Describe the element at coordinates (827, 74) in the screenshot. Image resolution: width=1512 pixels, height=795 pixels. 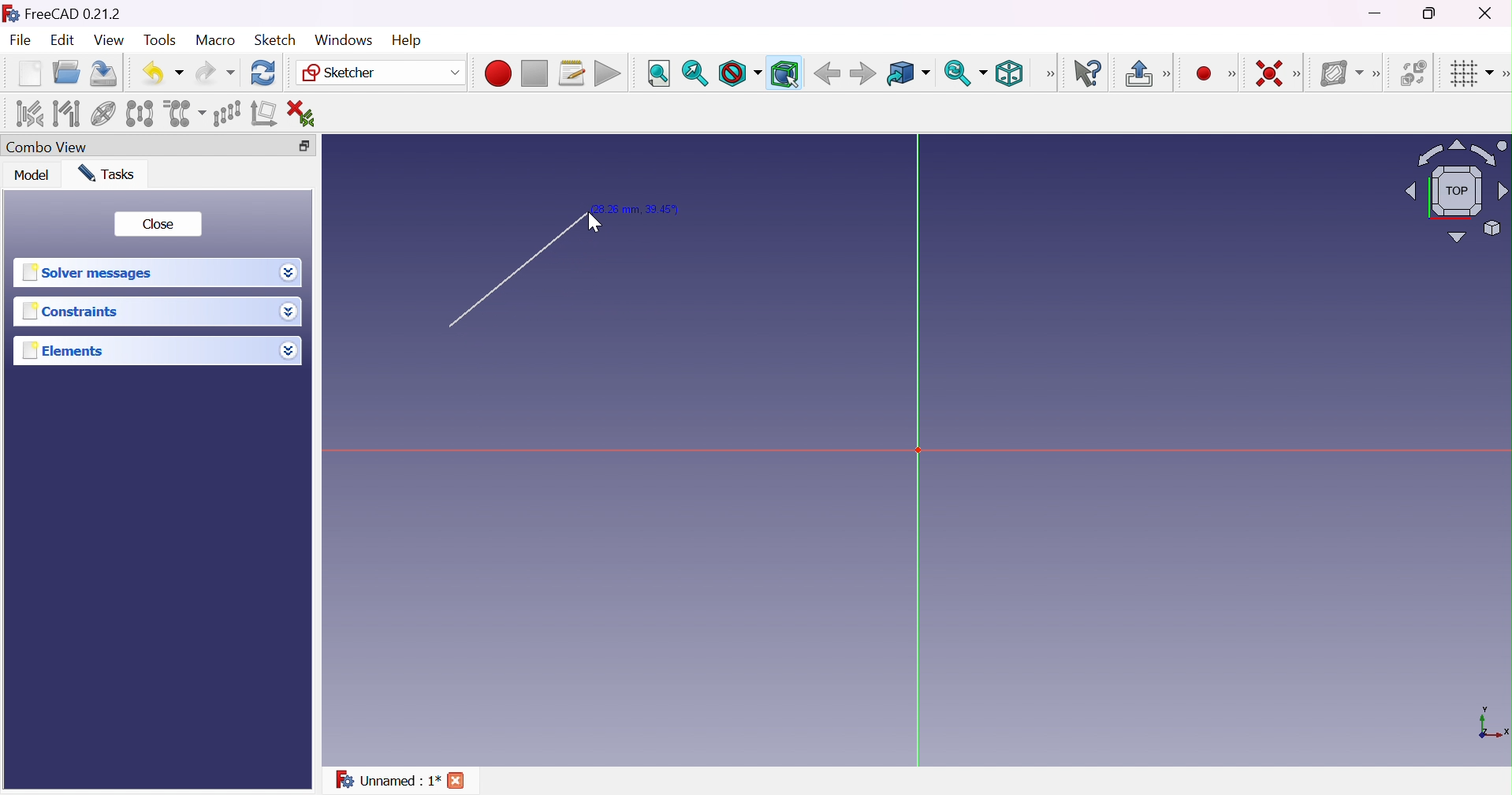
I see `Back` at that location.